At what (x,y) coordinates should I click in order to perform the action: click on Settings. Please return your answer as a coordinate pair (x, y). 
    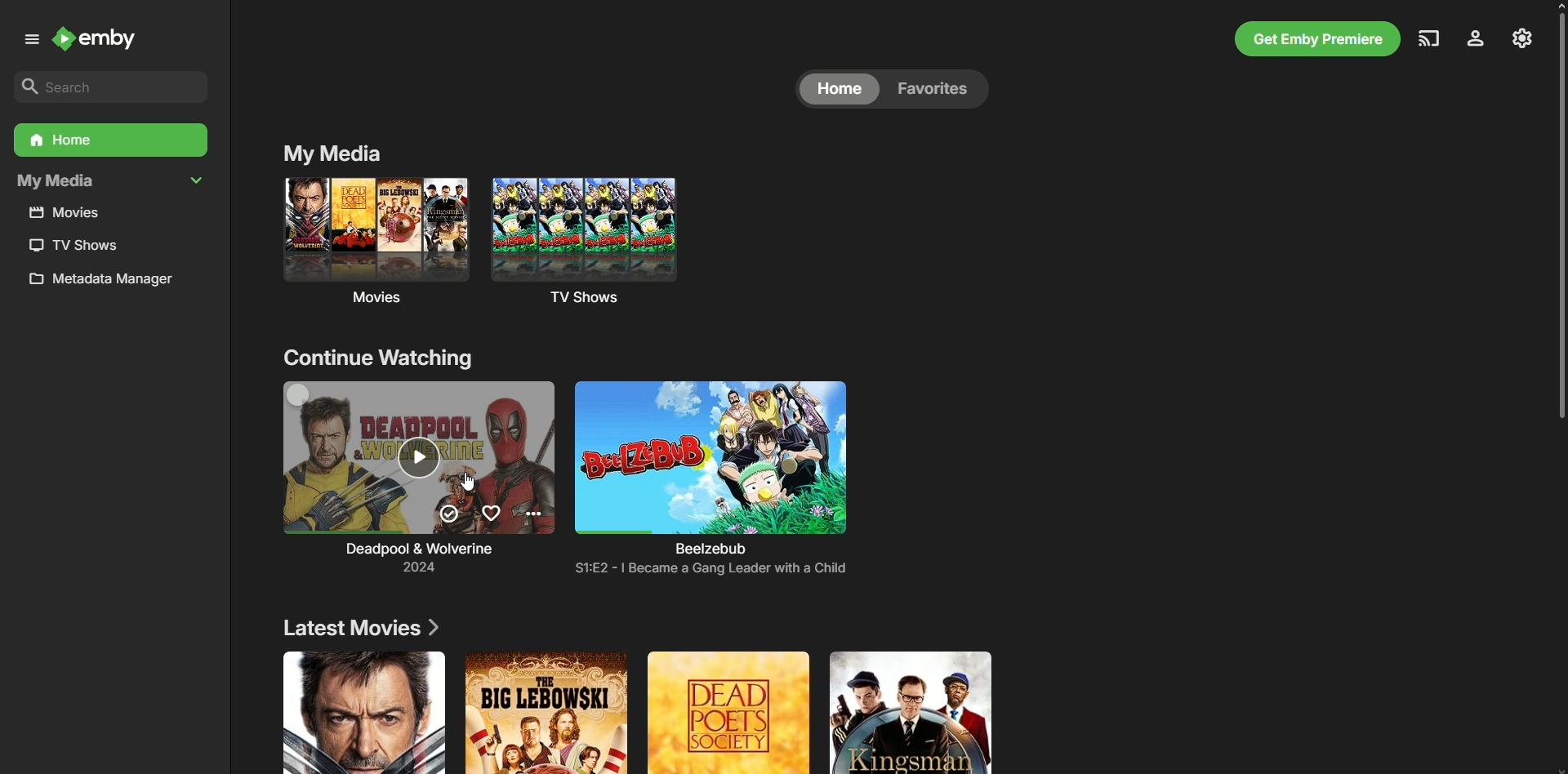
    Looking at the image, I should click on (1522, 37).